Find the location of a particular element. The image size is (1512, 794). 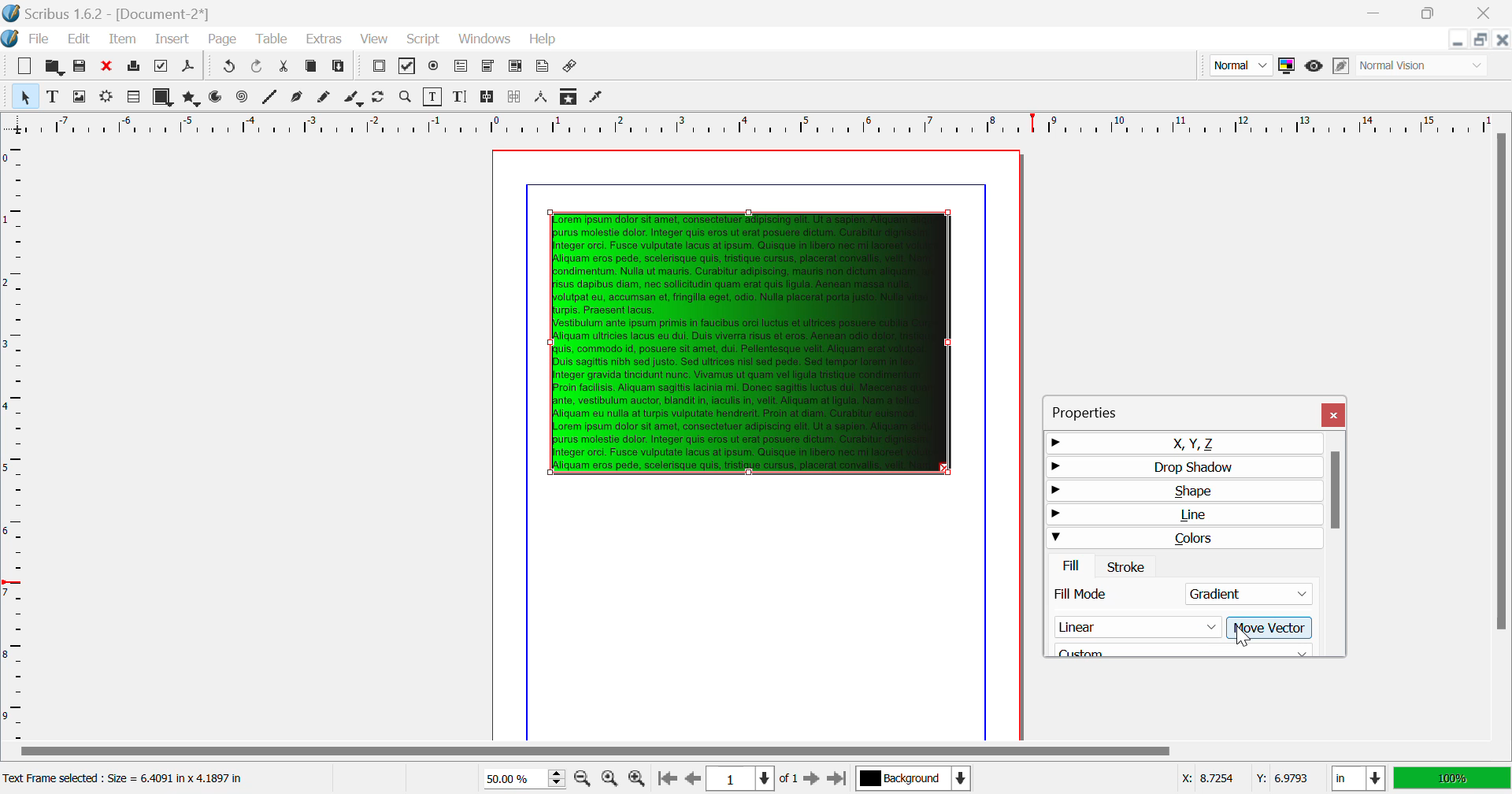

Pdf Push Button is located at coordinates (379, 68).